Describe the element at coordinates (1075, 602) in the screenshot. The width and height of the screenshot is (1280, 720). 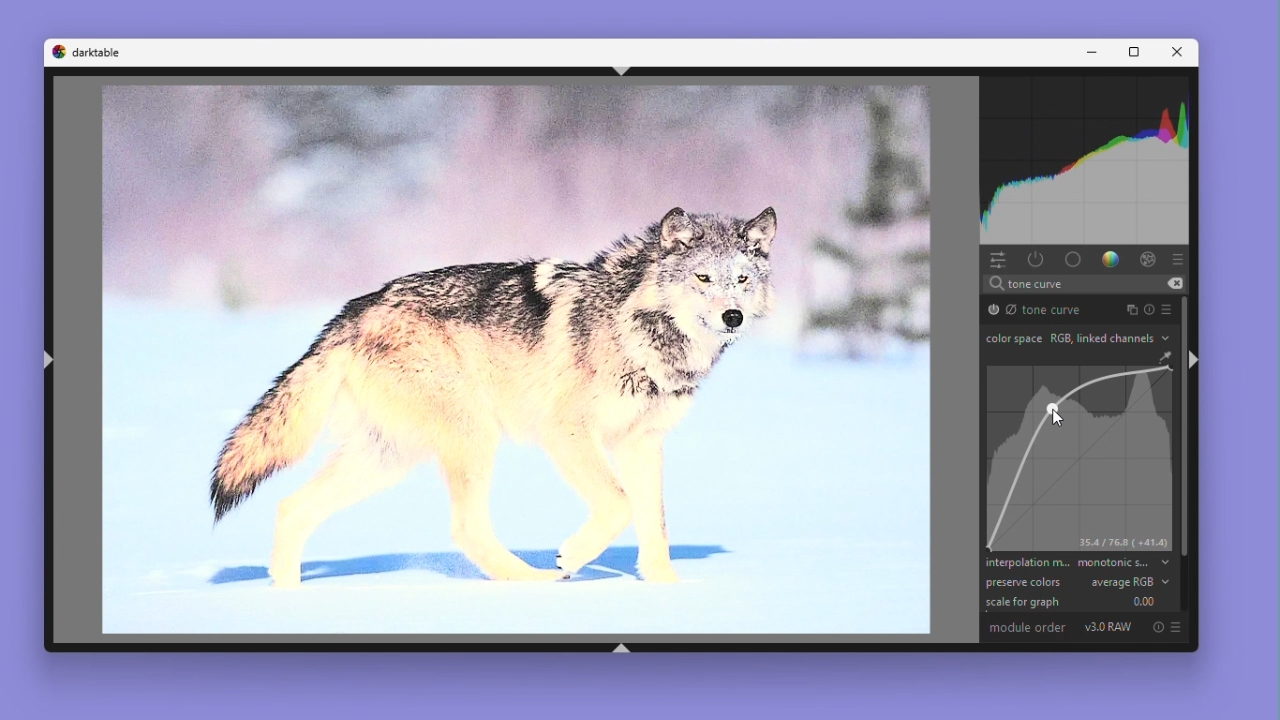
I see `Scale for graph` at that location.